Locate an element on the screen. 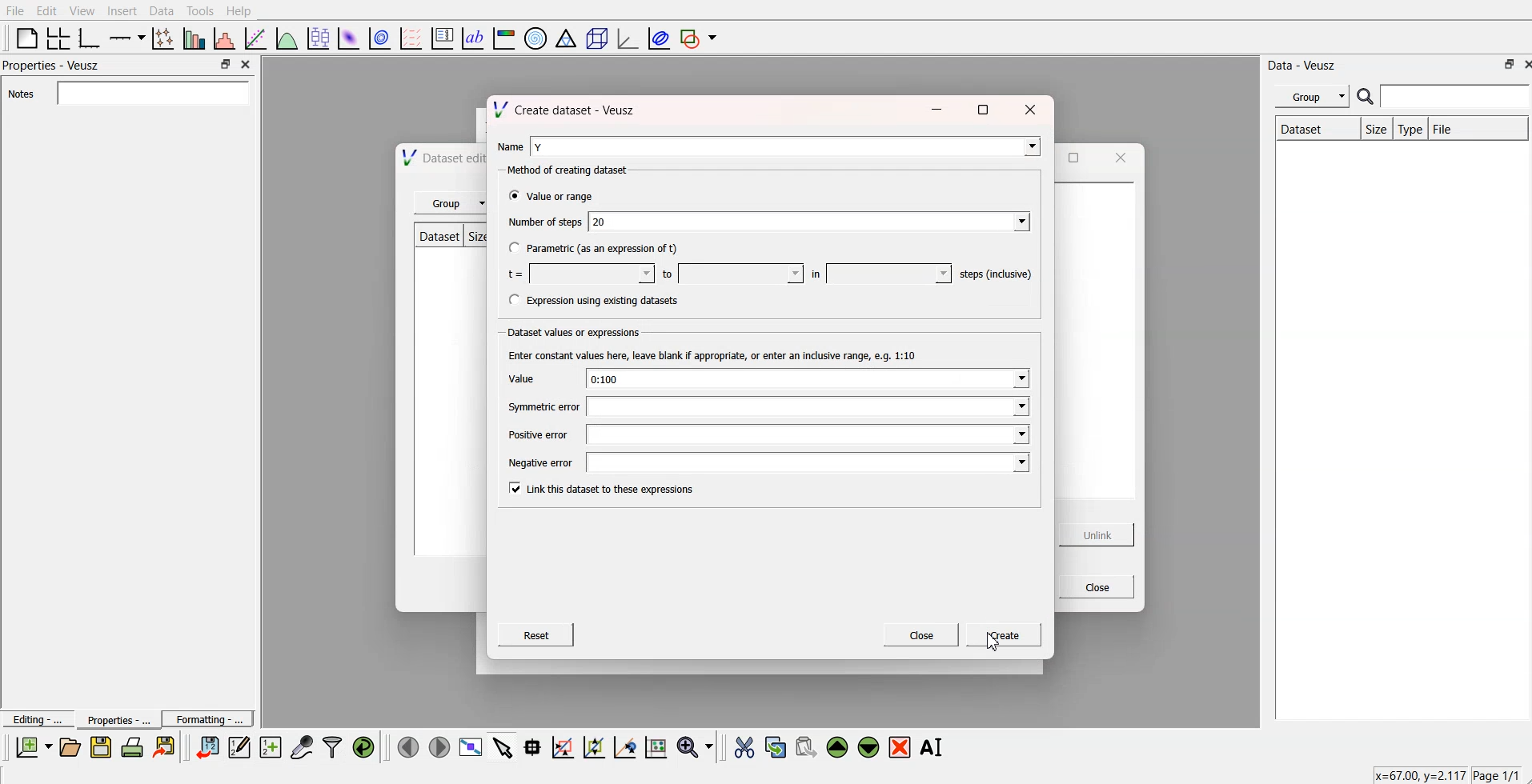  Negative error is located at coordinates (536, 462).